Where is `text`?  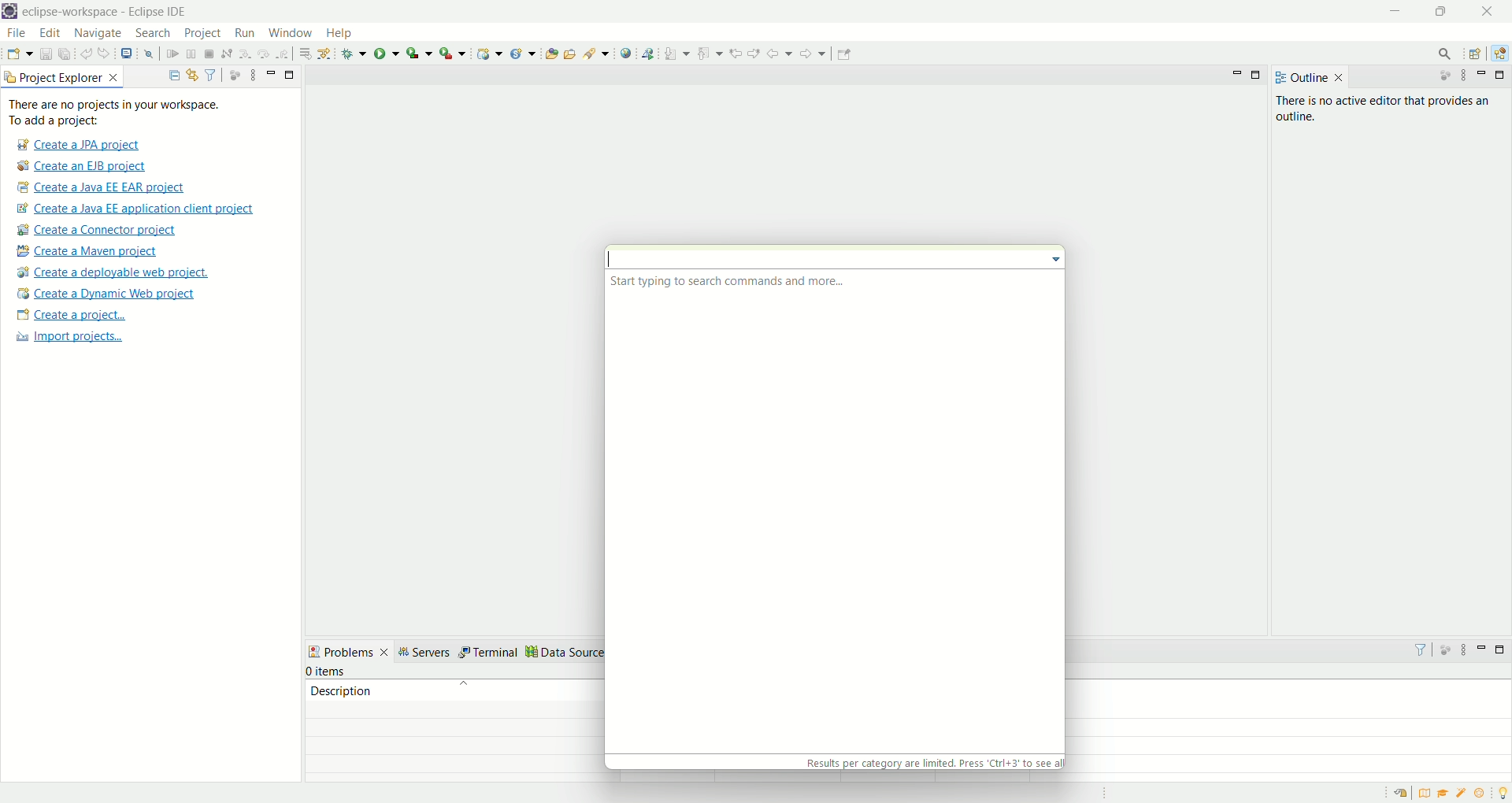 text is located at coordinates (1384, 108).